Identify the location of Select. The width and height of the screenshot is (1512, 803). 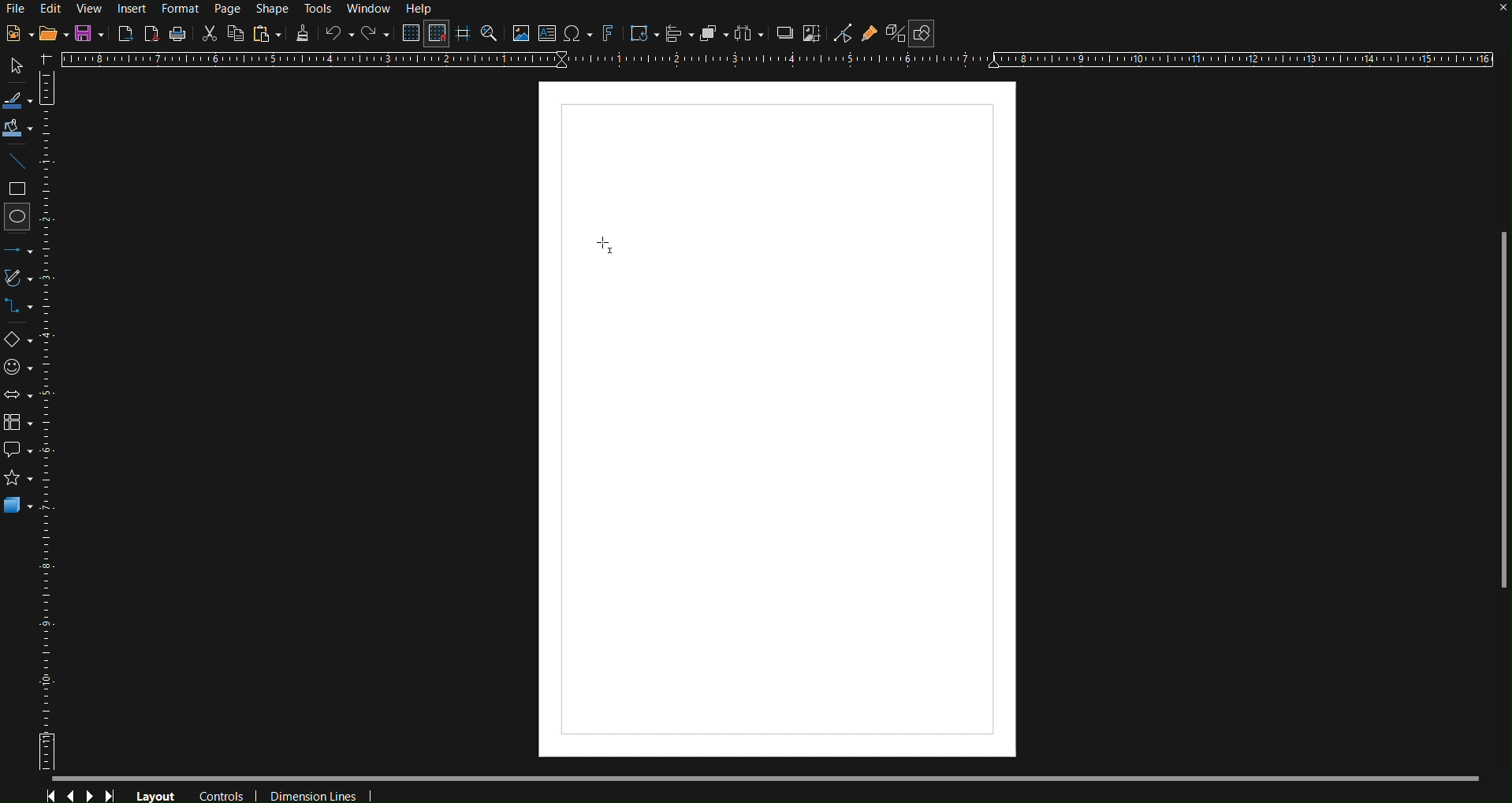
(13, 66).